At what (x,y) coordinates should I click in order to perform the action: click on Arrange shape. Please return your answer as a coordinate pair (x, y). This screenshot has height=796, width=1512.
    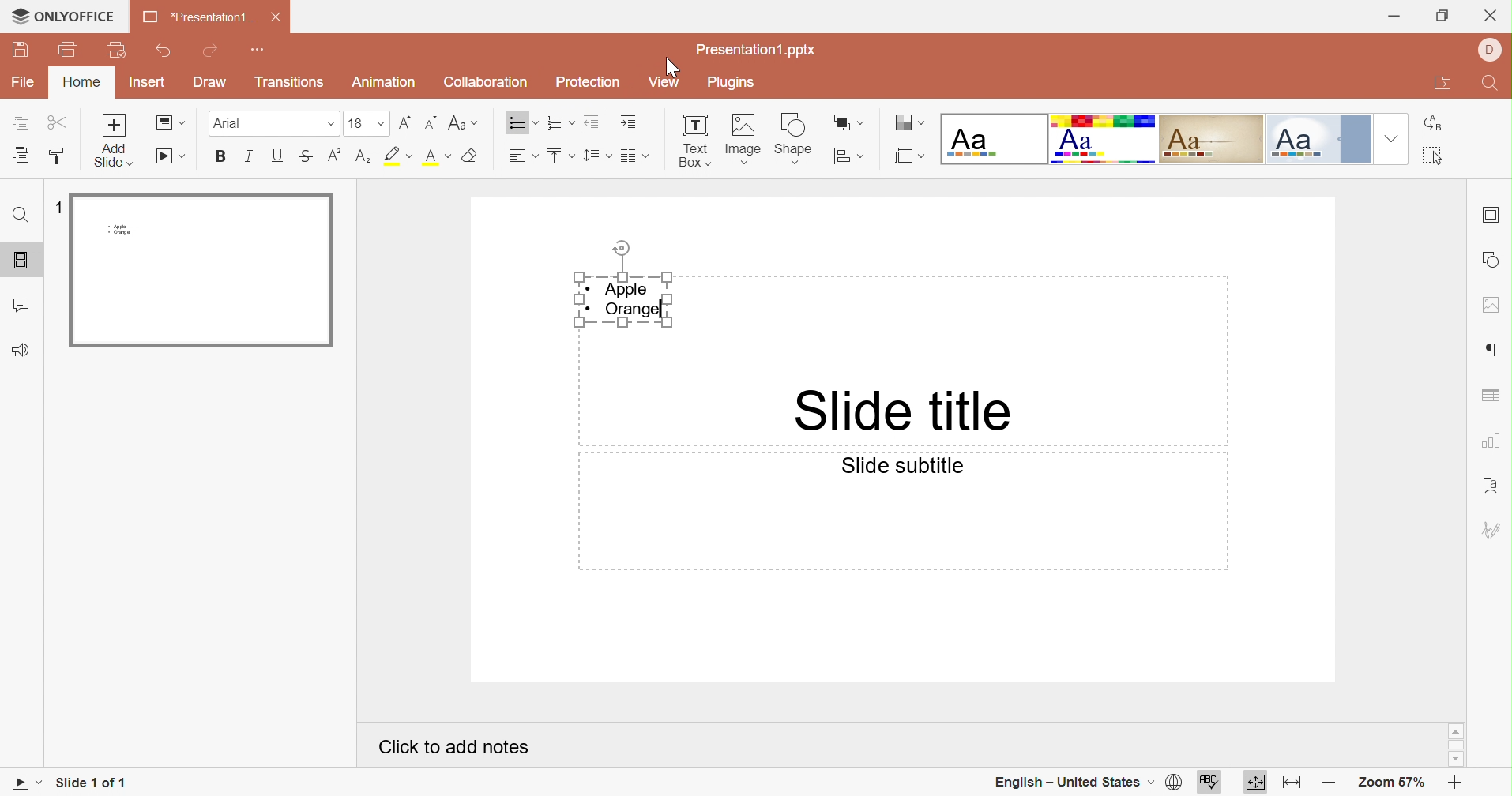
    Looking at the image, I should click on (849, 122).